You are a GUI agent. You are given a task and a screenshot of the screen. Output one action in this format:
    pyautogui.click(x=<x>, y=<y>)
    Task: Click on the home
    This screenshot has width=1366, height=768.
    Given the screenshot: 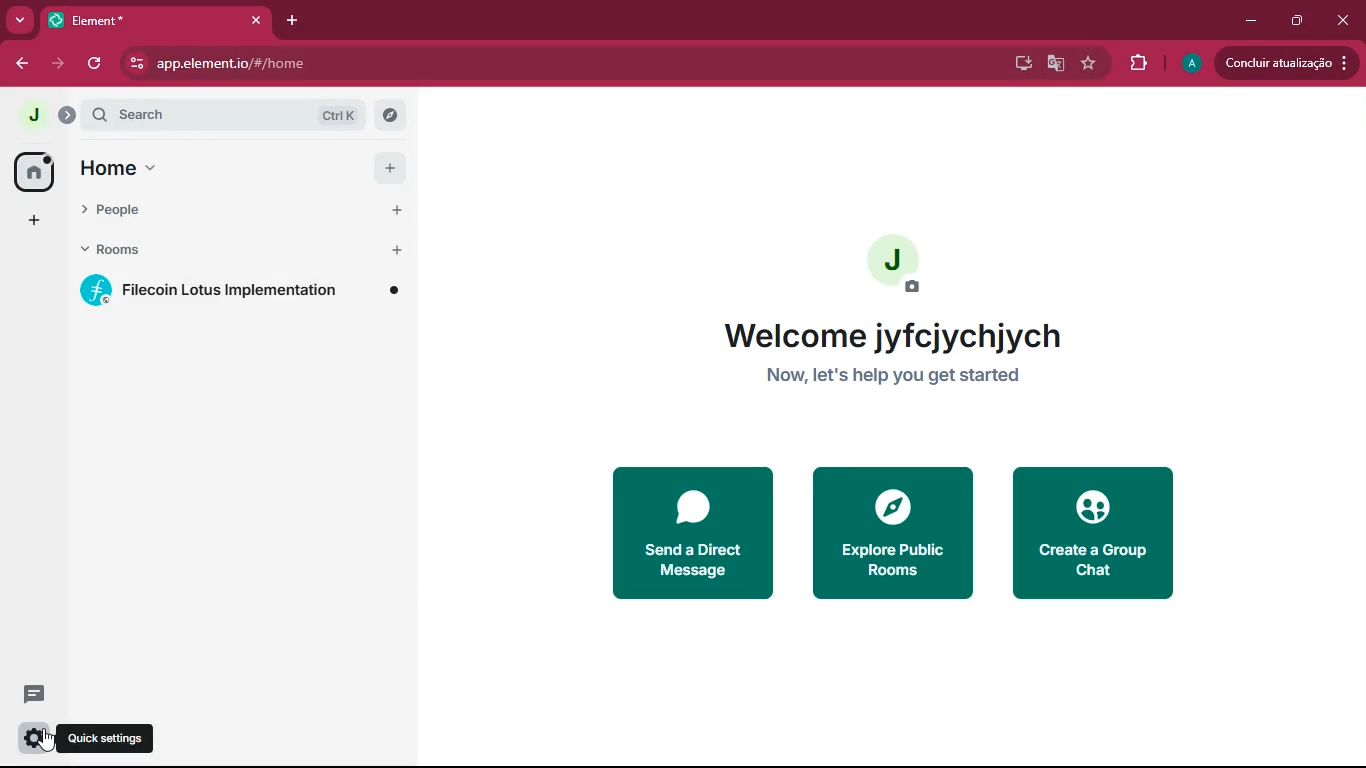 What is the action you would take?
    pyautogui.click(x=33, y=171)
    